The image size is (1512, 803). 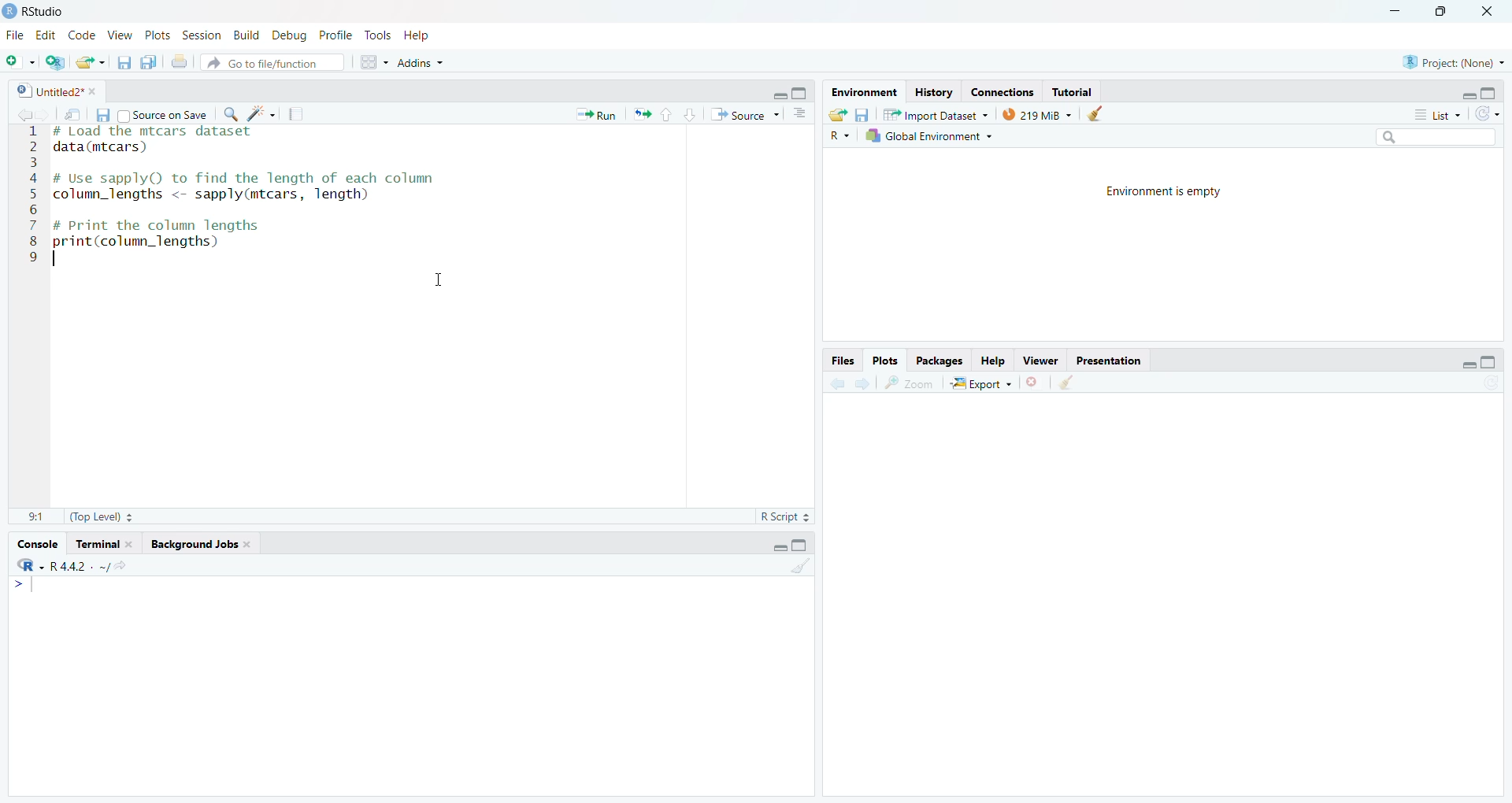 I want to click on Viewer, so click(x=1039, y=361).